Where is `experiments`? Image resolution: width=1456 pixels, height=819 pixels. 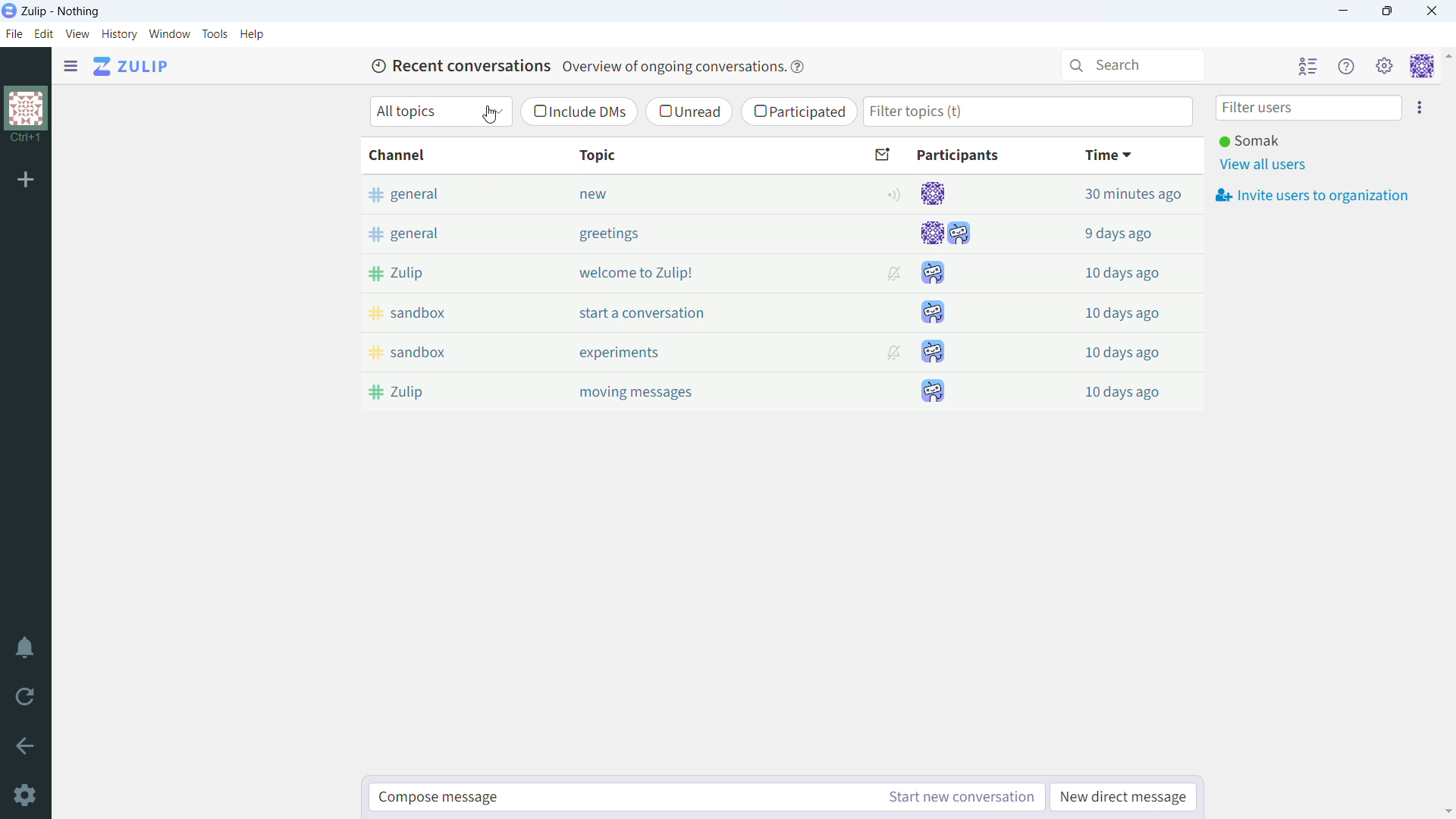 experiments is located at coordinates (677, 352).